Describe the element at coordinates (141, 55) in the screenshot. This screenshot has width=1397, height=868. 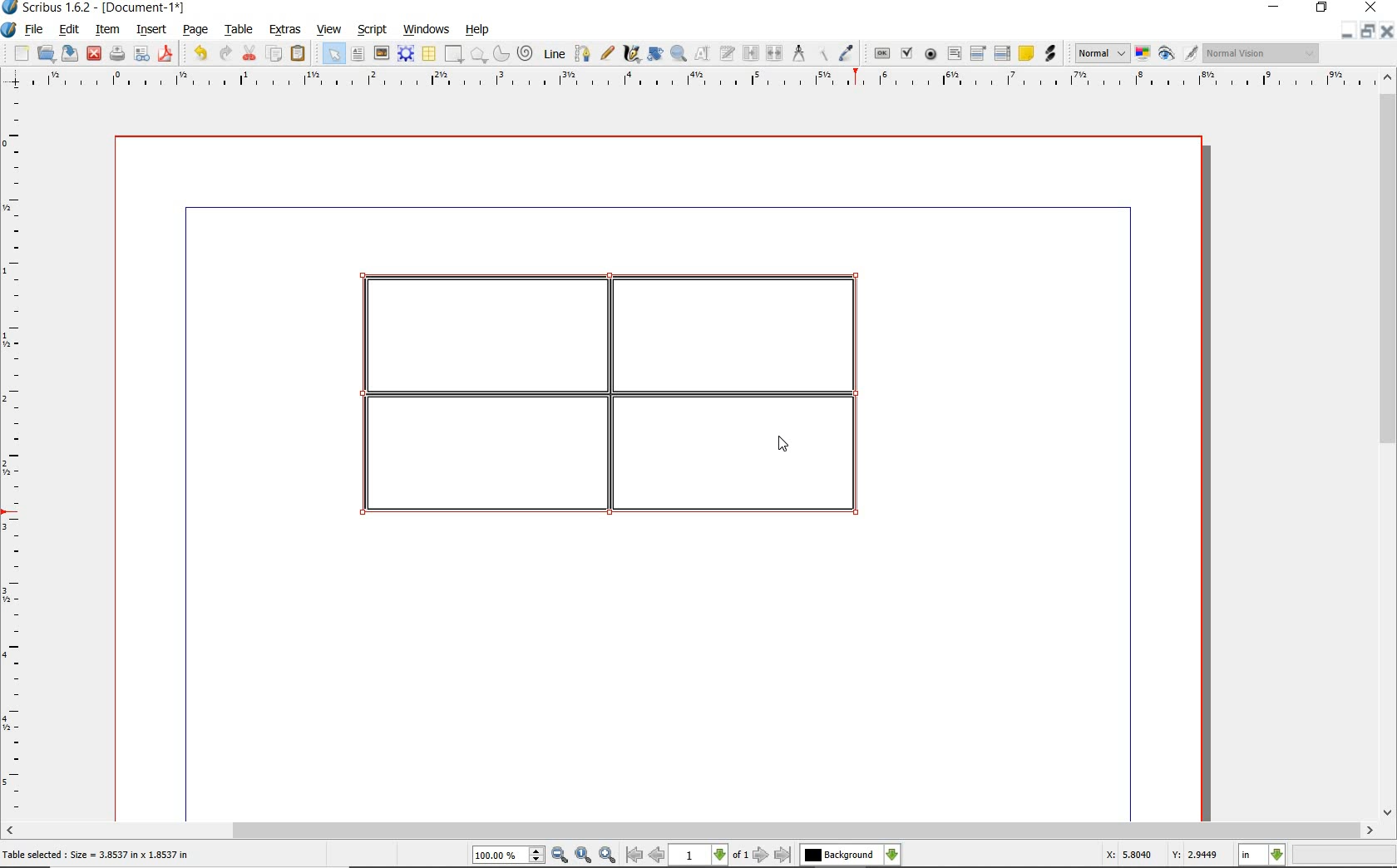
I see `preflight verifier` at that location.